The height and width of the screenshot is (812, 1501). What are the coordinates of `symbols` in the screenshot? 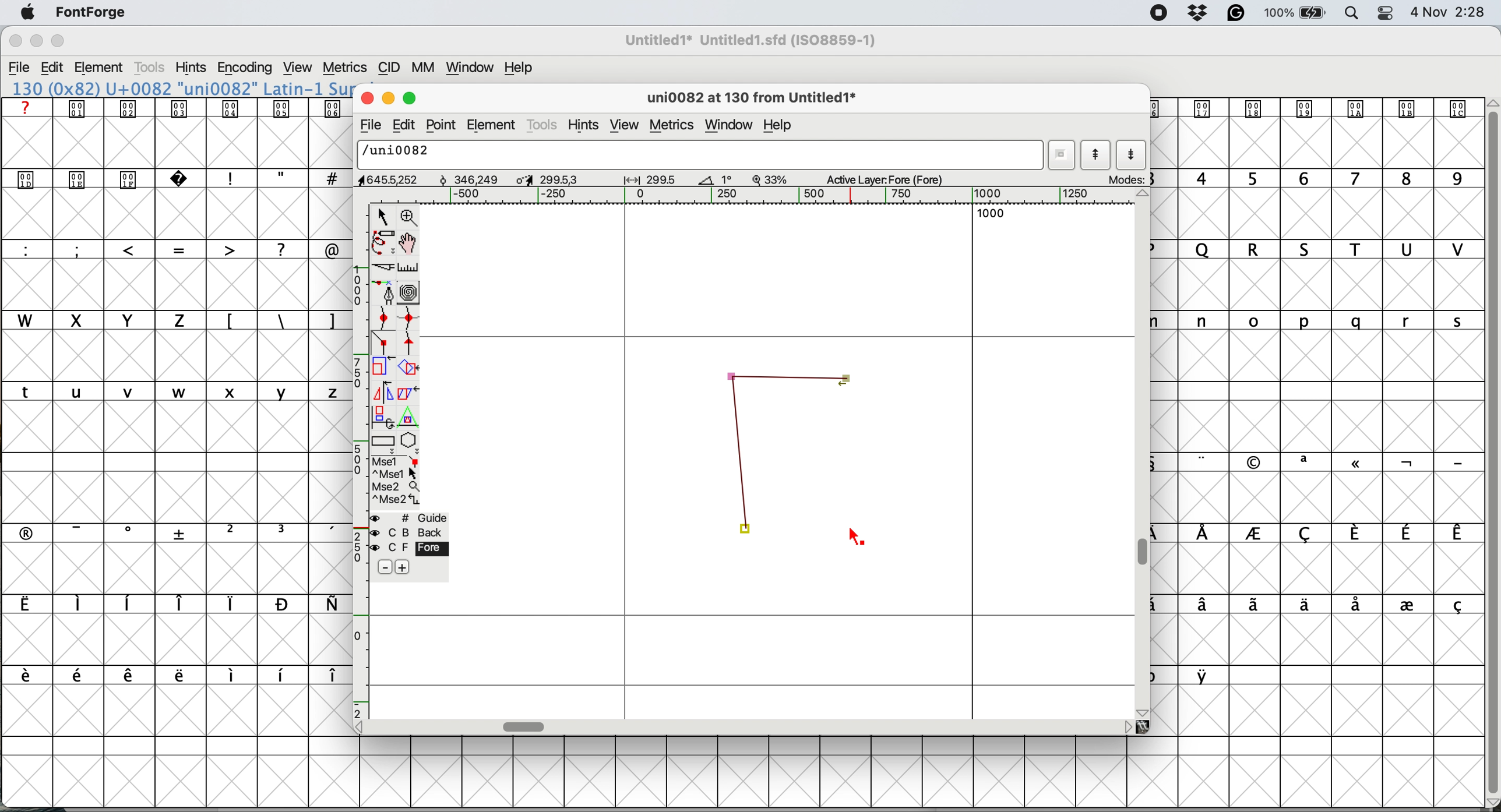 It's located at (179, 108).